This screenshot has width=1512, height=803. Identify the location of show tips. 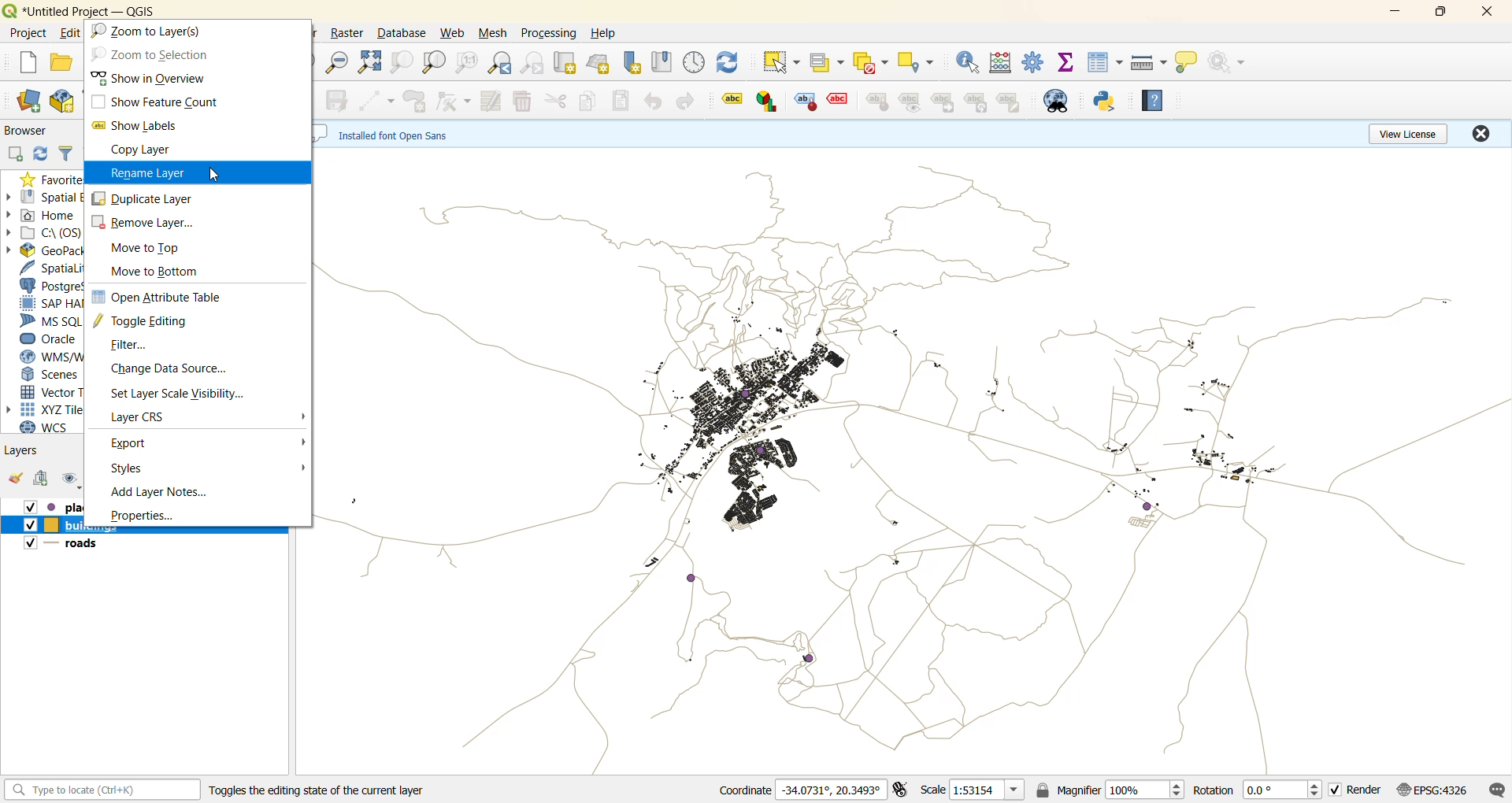
(1190, 65).